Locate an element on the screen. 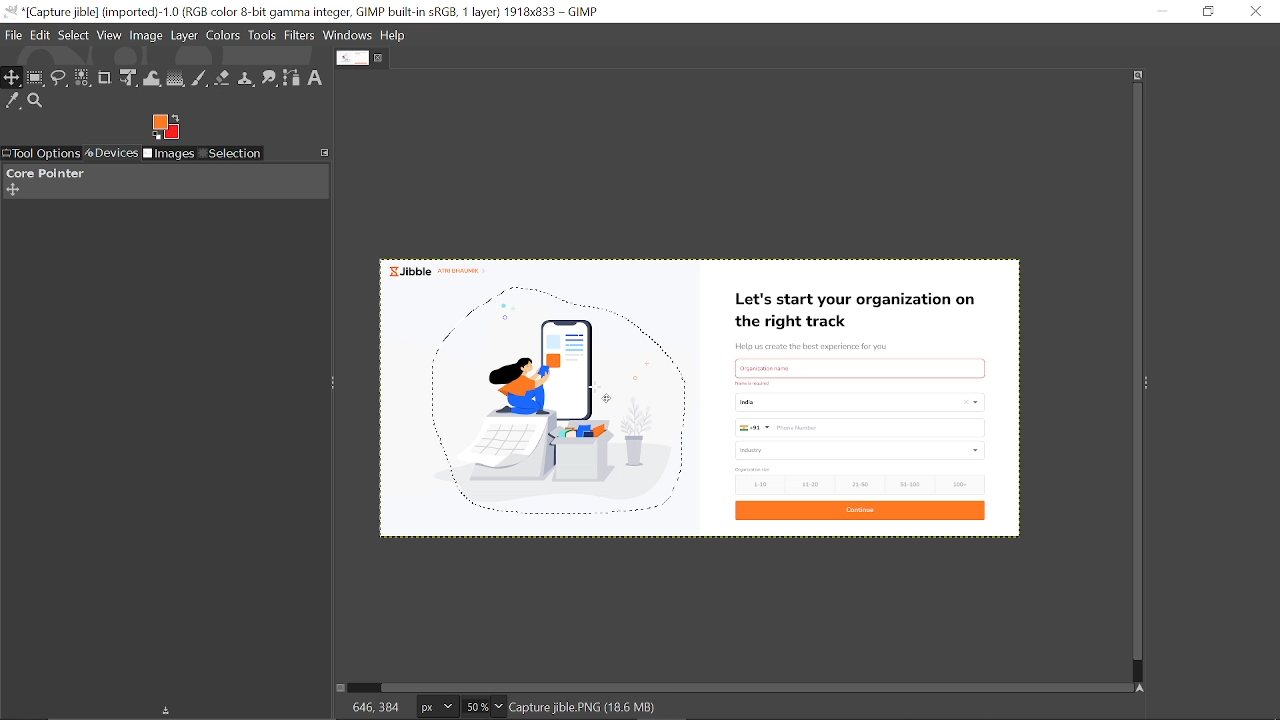  51-100 is located at coordinates (909, 485).